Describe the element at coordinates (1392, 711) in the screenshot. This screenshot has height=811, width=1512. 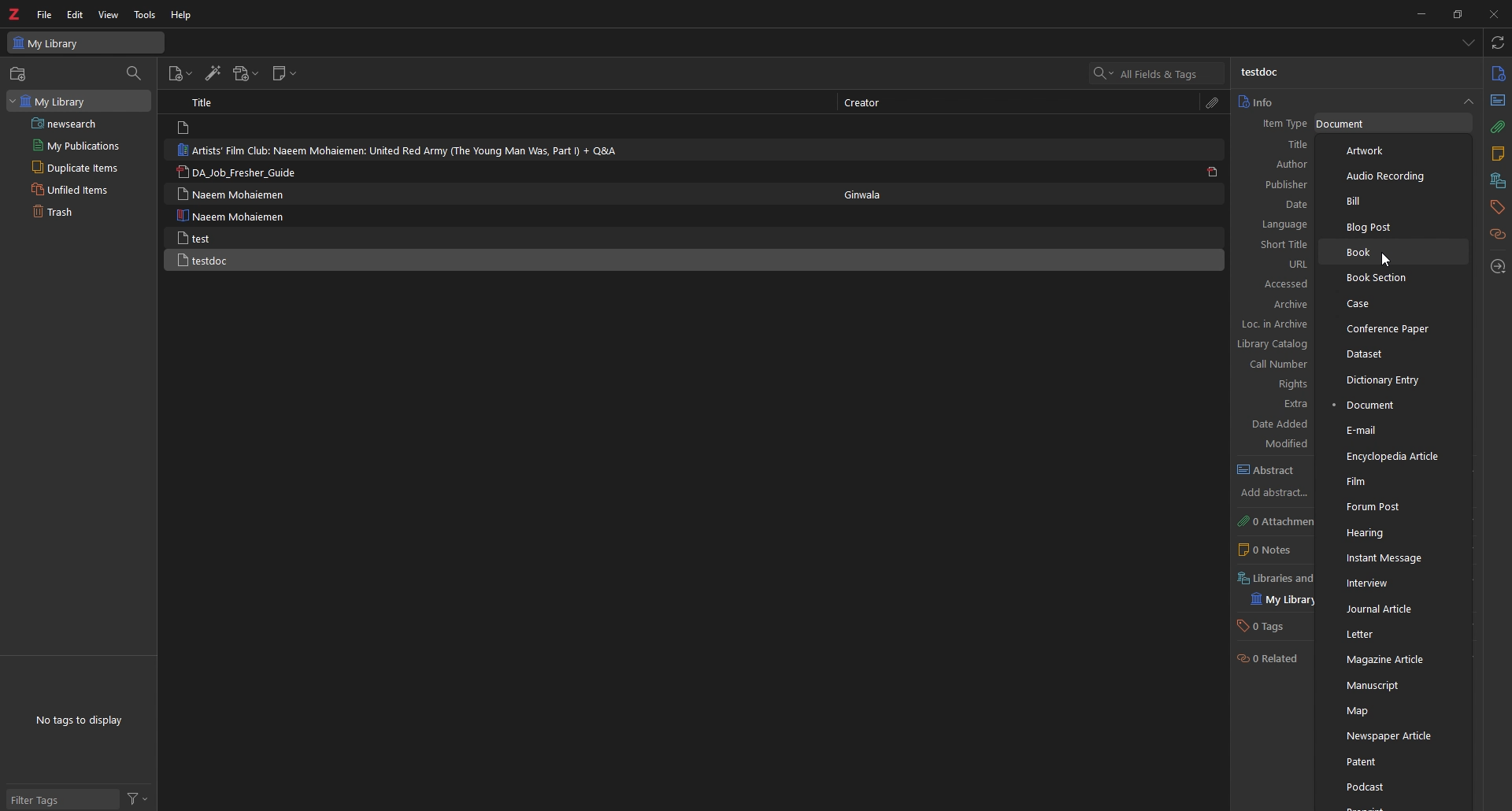
I see `map` at that location.